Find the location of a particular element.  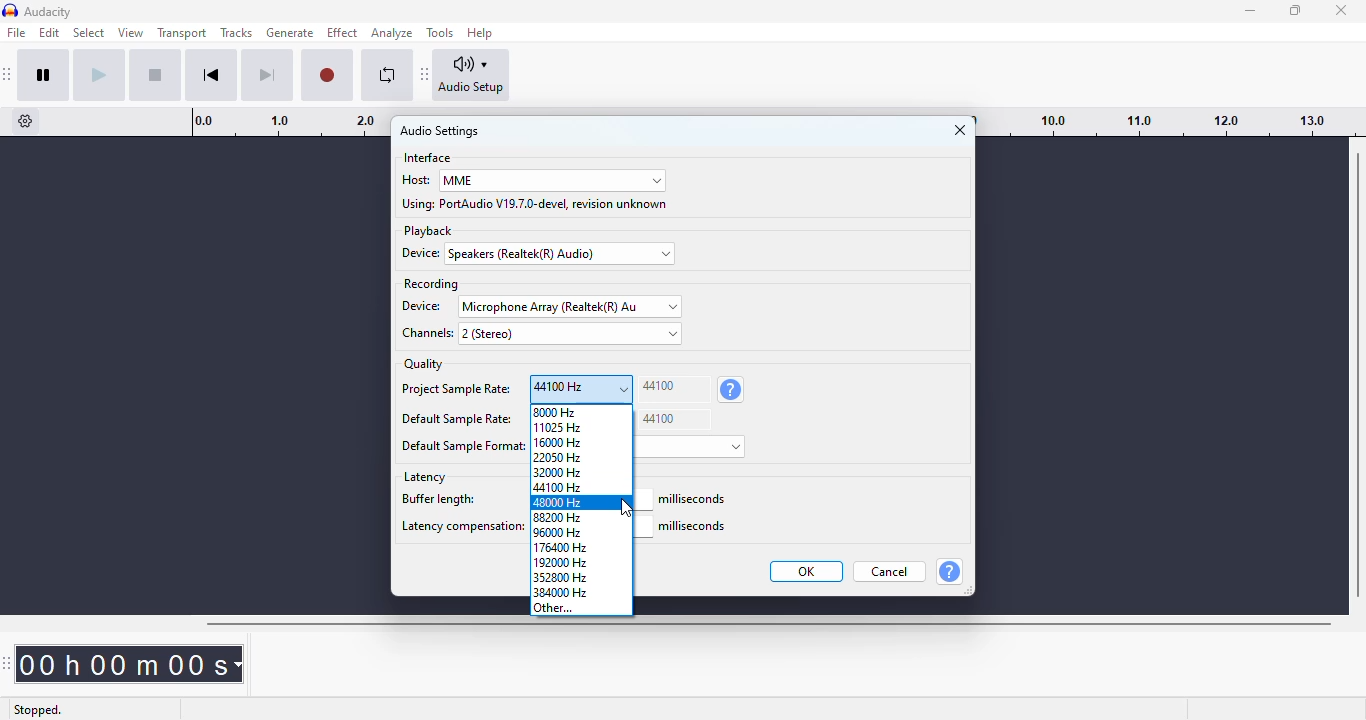

device is located at coordinates (424, 253).